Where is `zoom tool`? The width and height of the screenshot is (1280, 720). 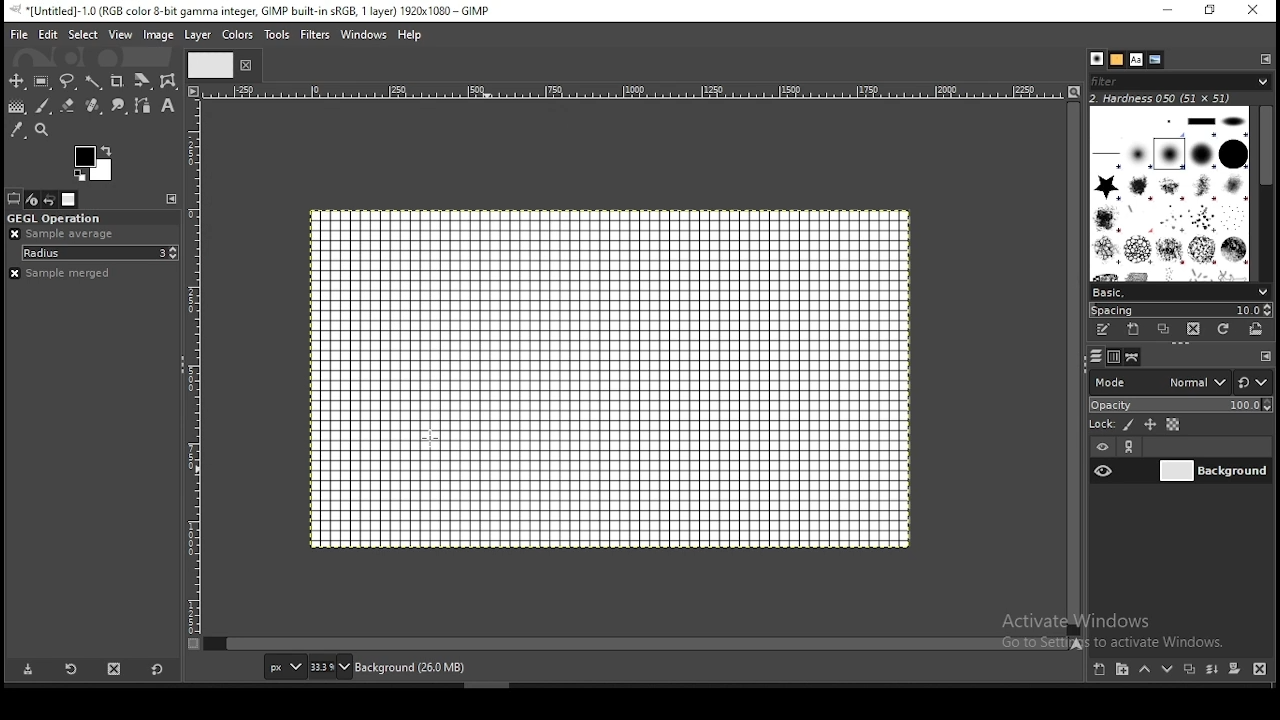 zoom tool is located at coordinates (48, 130).